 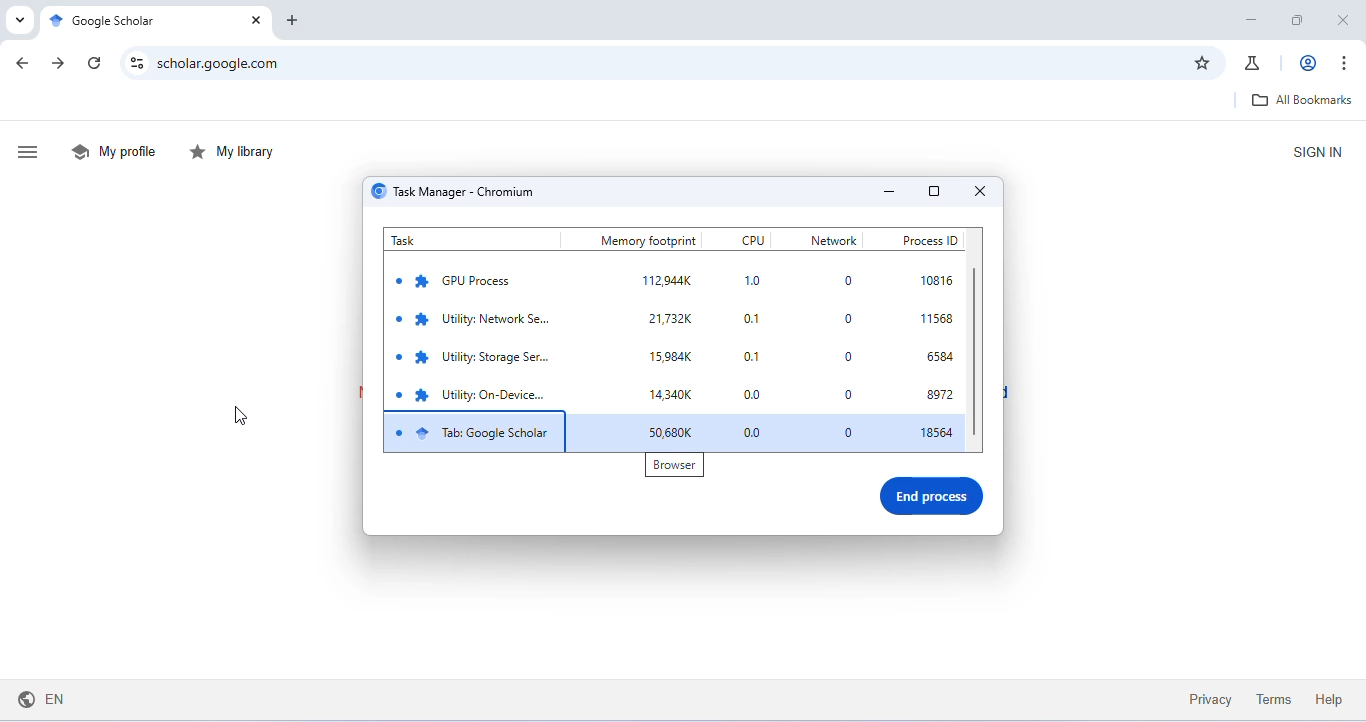 I want to click on 0, so click(x=844, y=282).